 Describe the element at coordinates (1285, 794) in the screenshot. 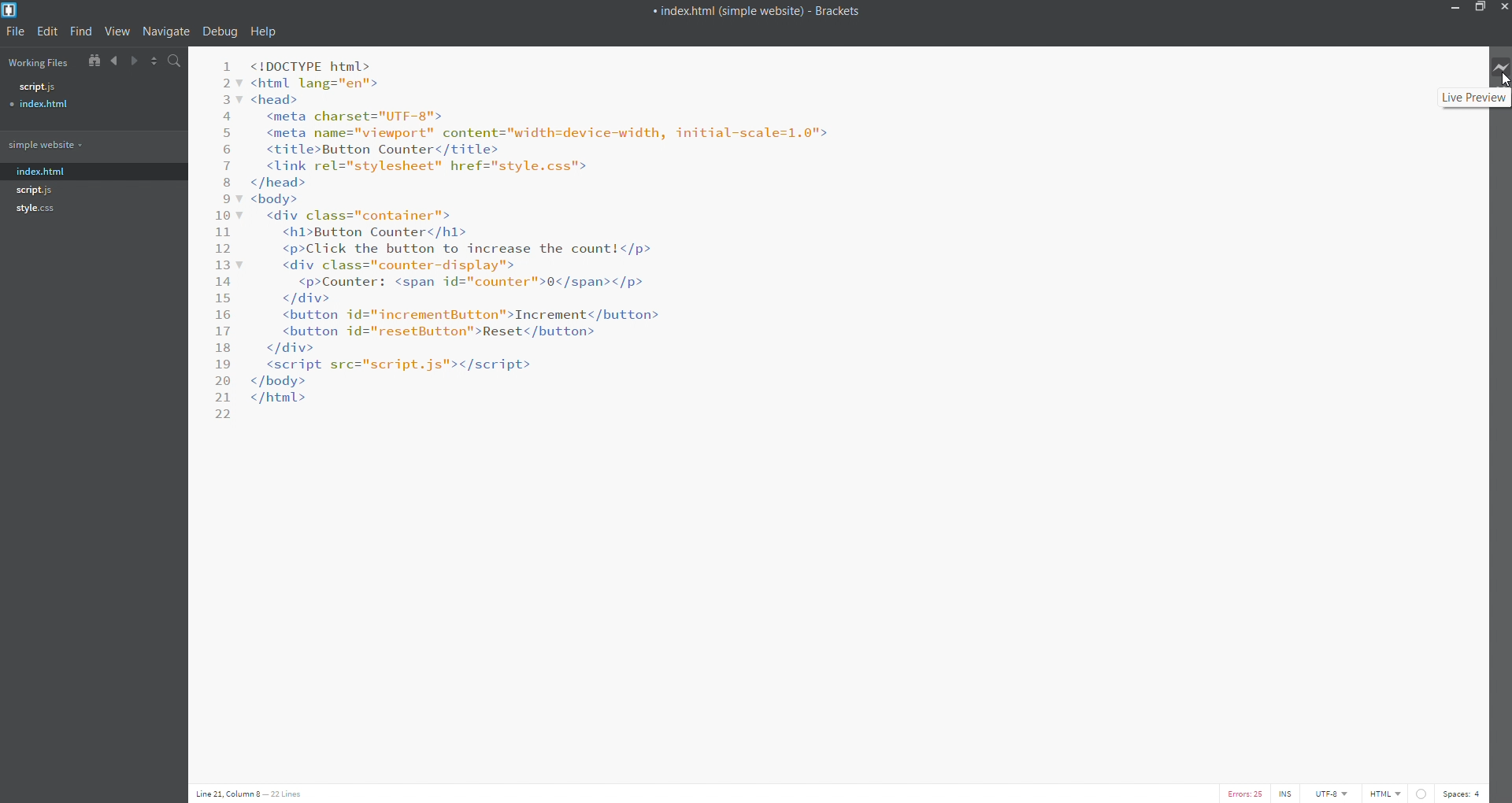

I see `cursor toggle` at that location.